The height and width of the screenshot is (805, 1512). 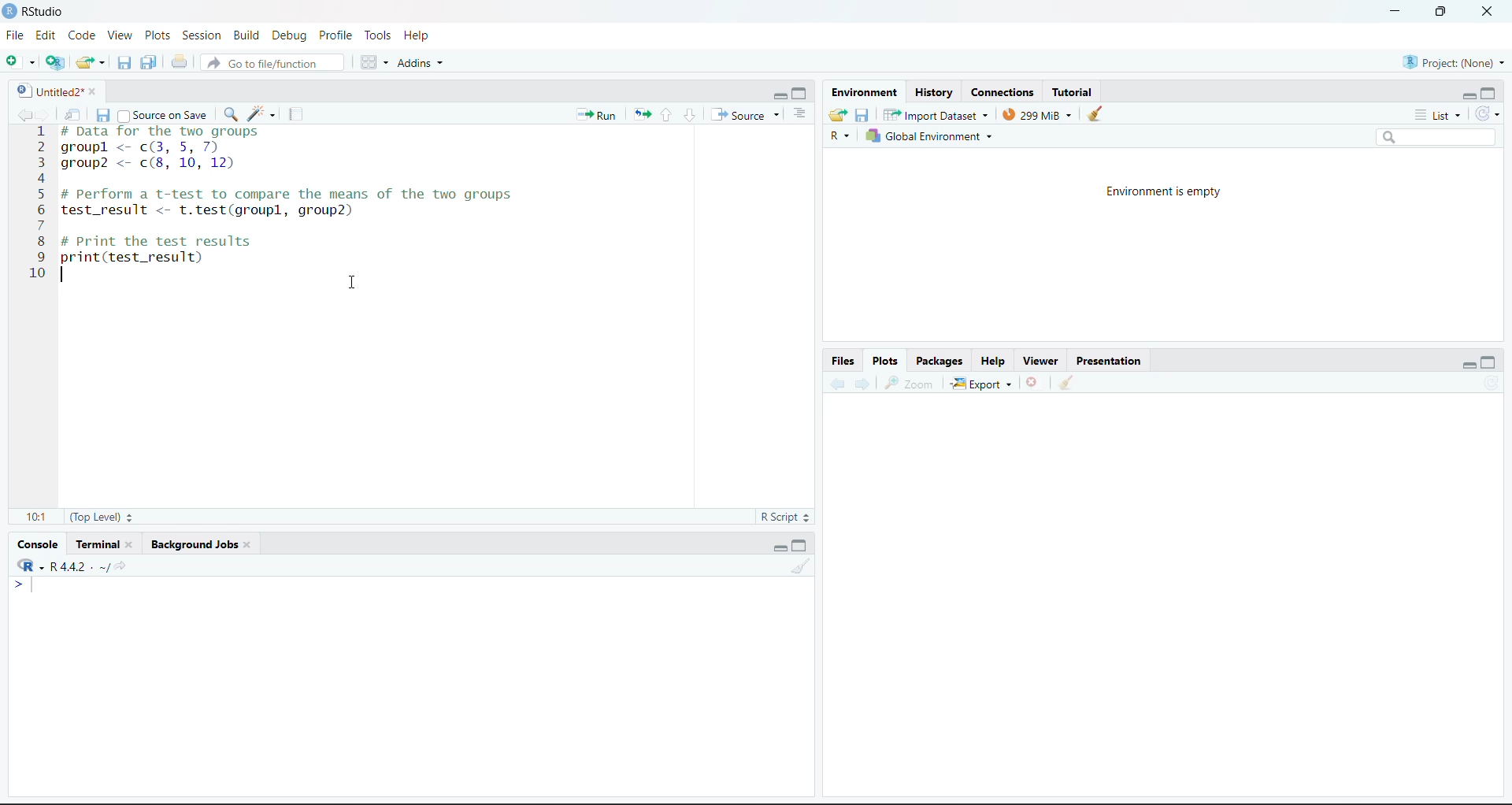 I want to click on >, so click(x=20, y=583).